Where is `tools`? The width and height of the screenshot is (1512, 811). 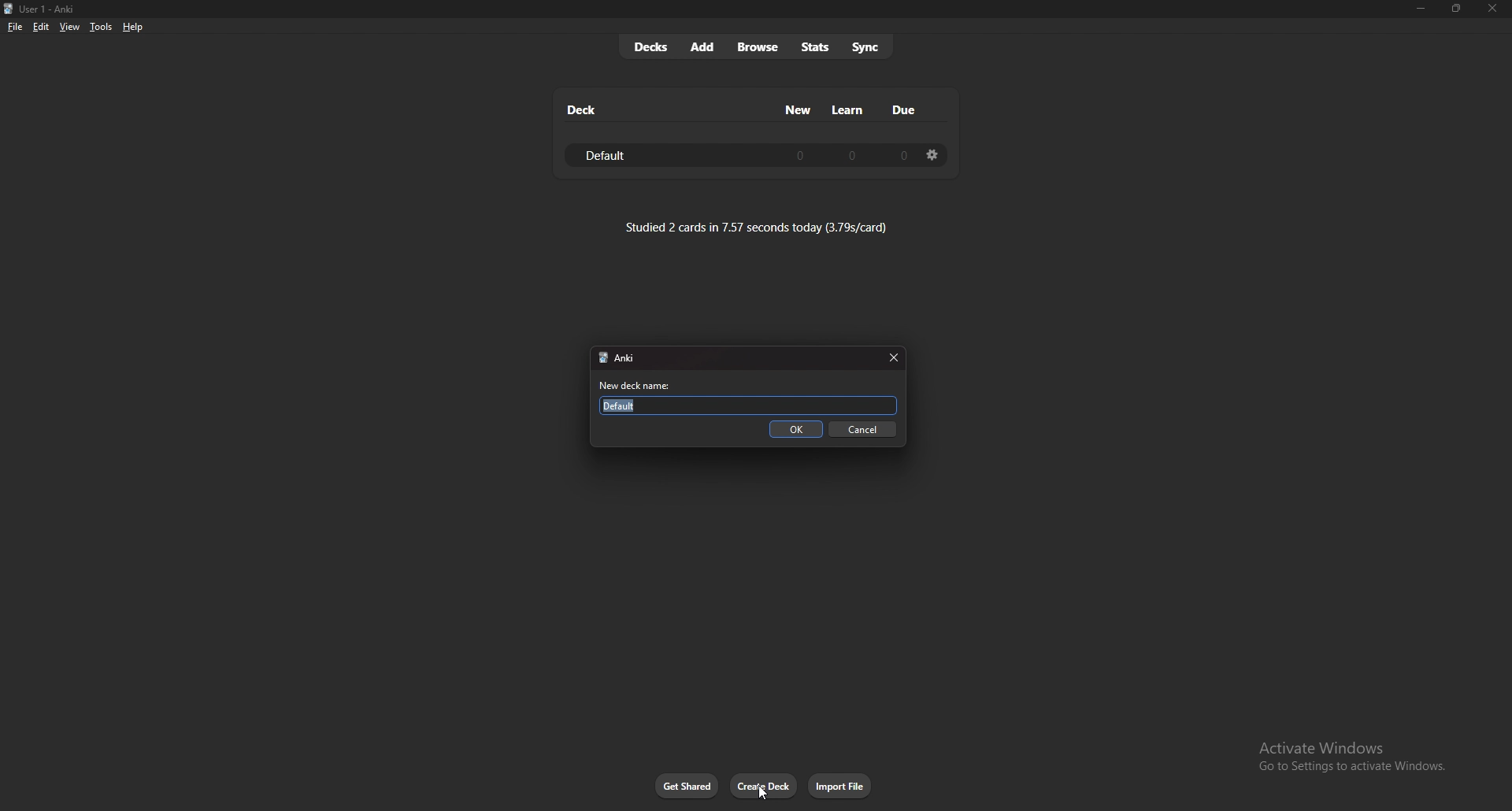 tools is located at coordinates (101, 27).